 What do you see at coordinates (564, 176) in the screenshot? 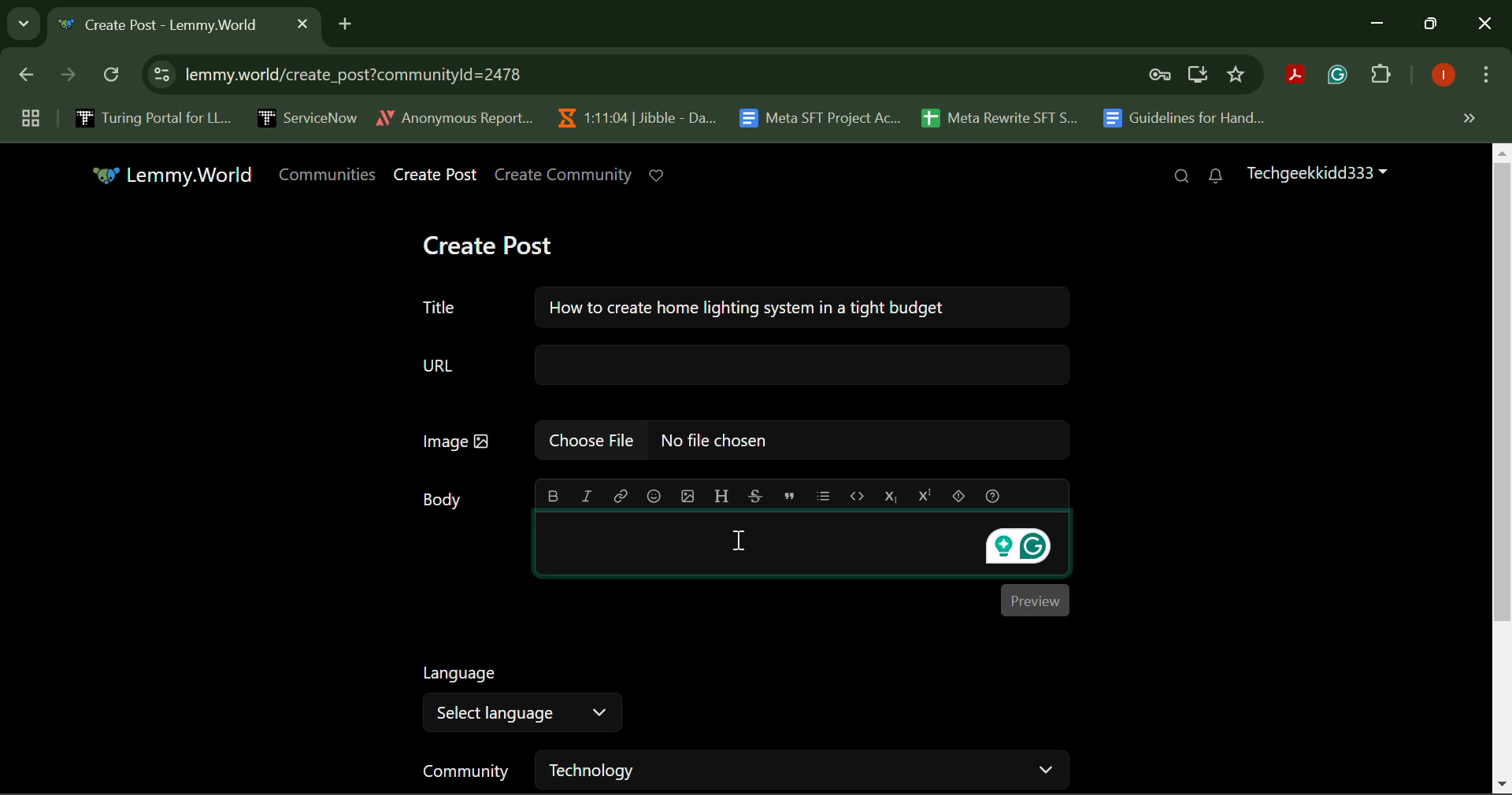
I see `Create Community` at bounding box center [564, 176].